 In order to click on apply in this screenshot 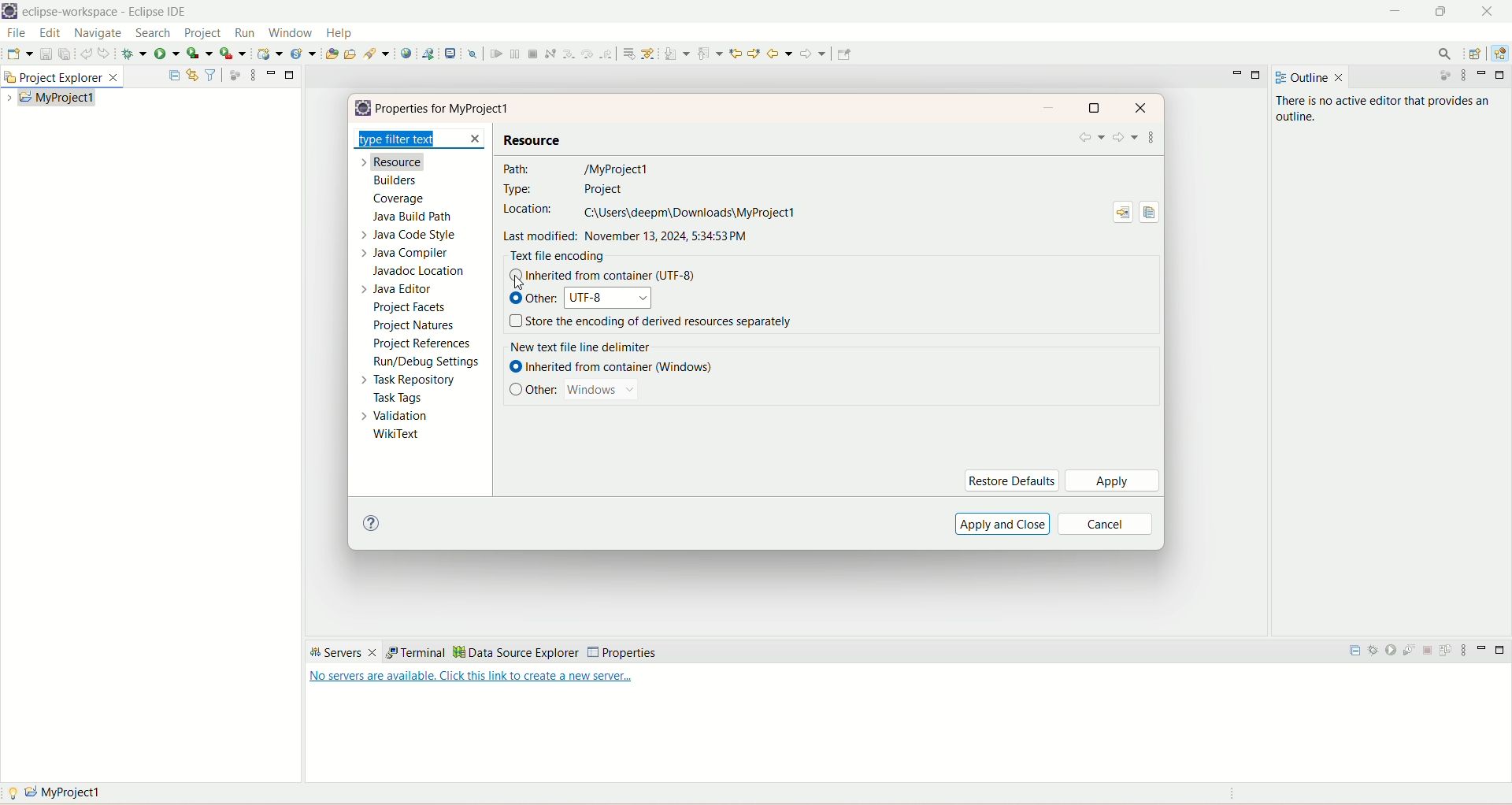, I will do `click(1112, 480)`.